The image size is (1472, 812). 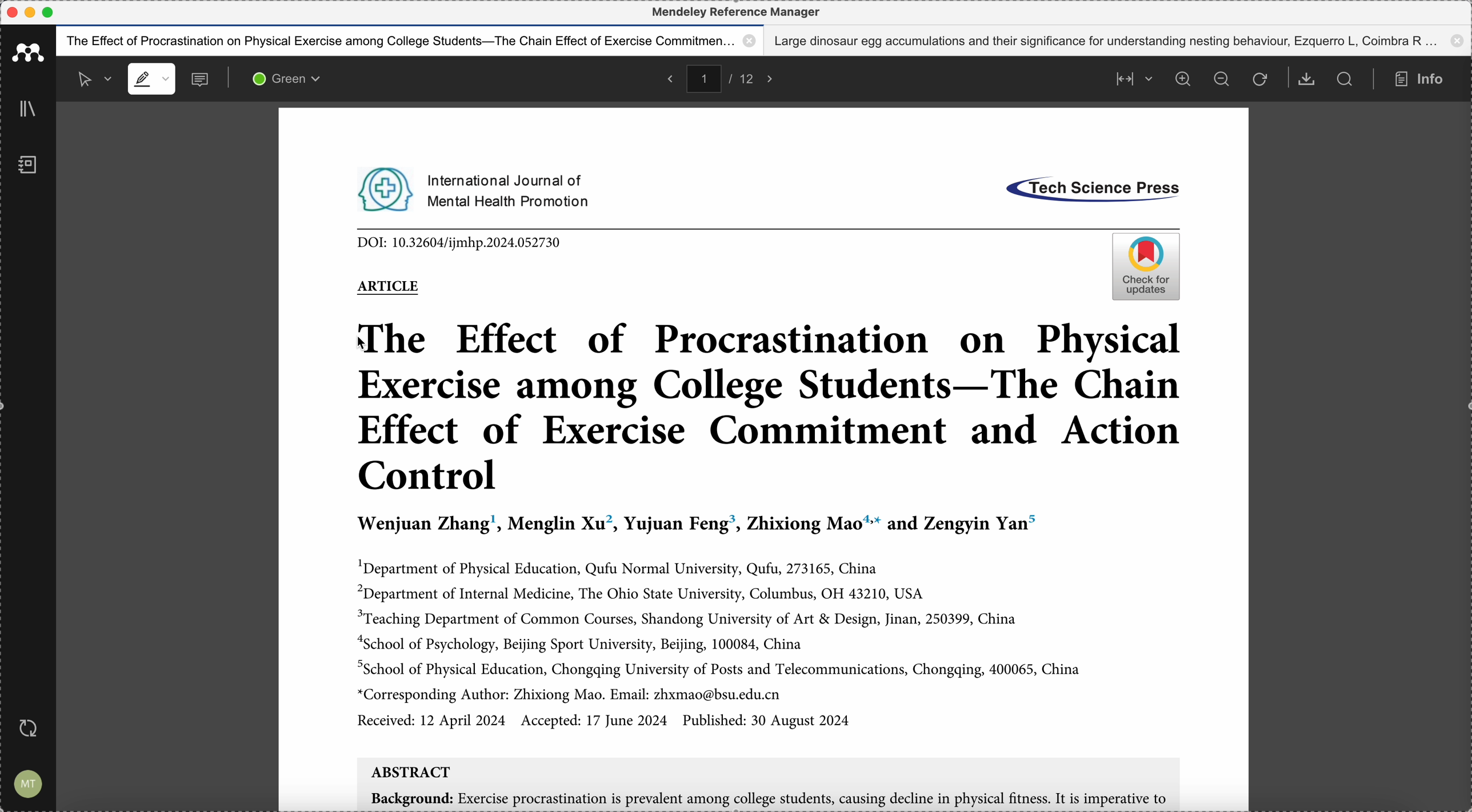 What do you see at coordinates (1121, 41) in the screenshot?
I see `Large dinosaur egg accumulations and their significance for understanding nesting behaviour, Ezquerro` at bounding box center [1121, 41].